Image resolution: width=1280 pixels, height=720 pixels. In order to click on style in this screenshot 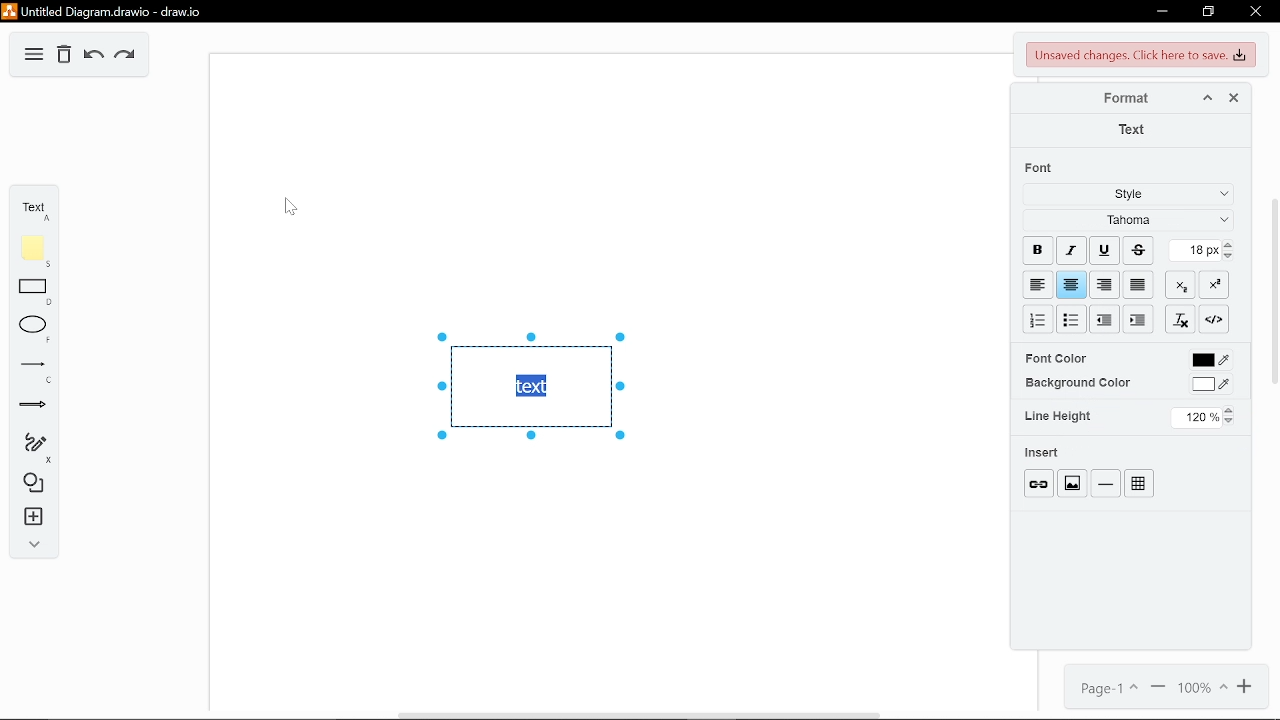, I will do `click(1123, 195)`.